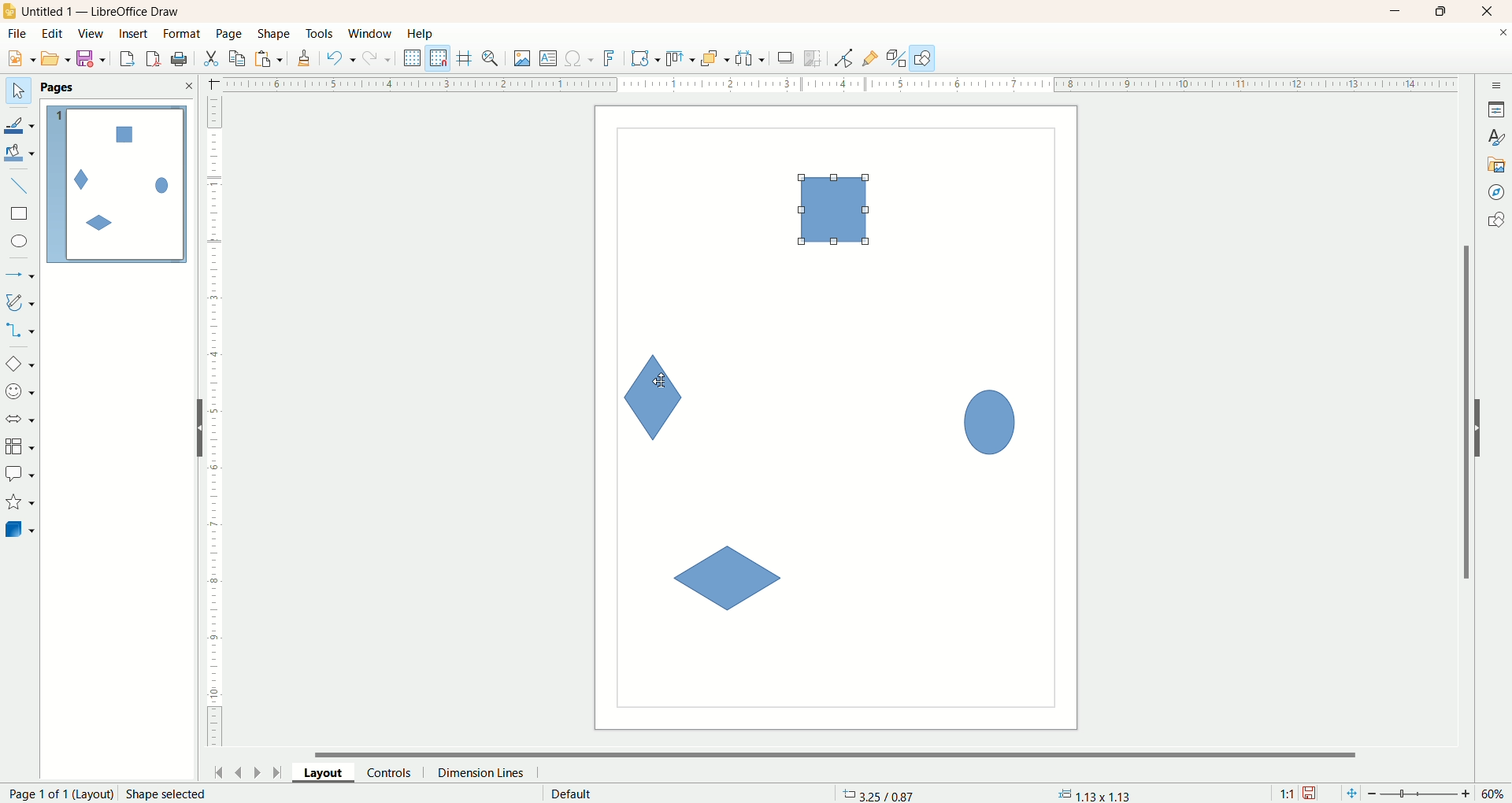 The image size is (1512, 803). Describe the element at coordinates (646, 59) in the screenshot. I see `transformation` at that location.